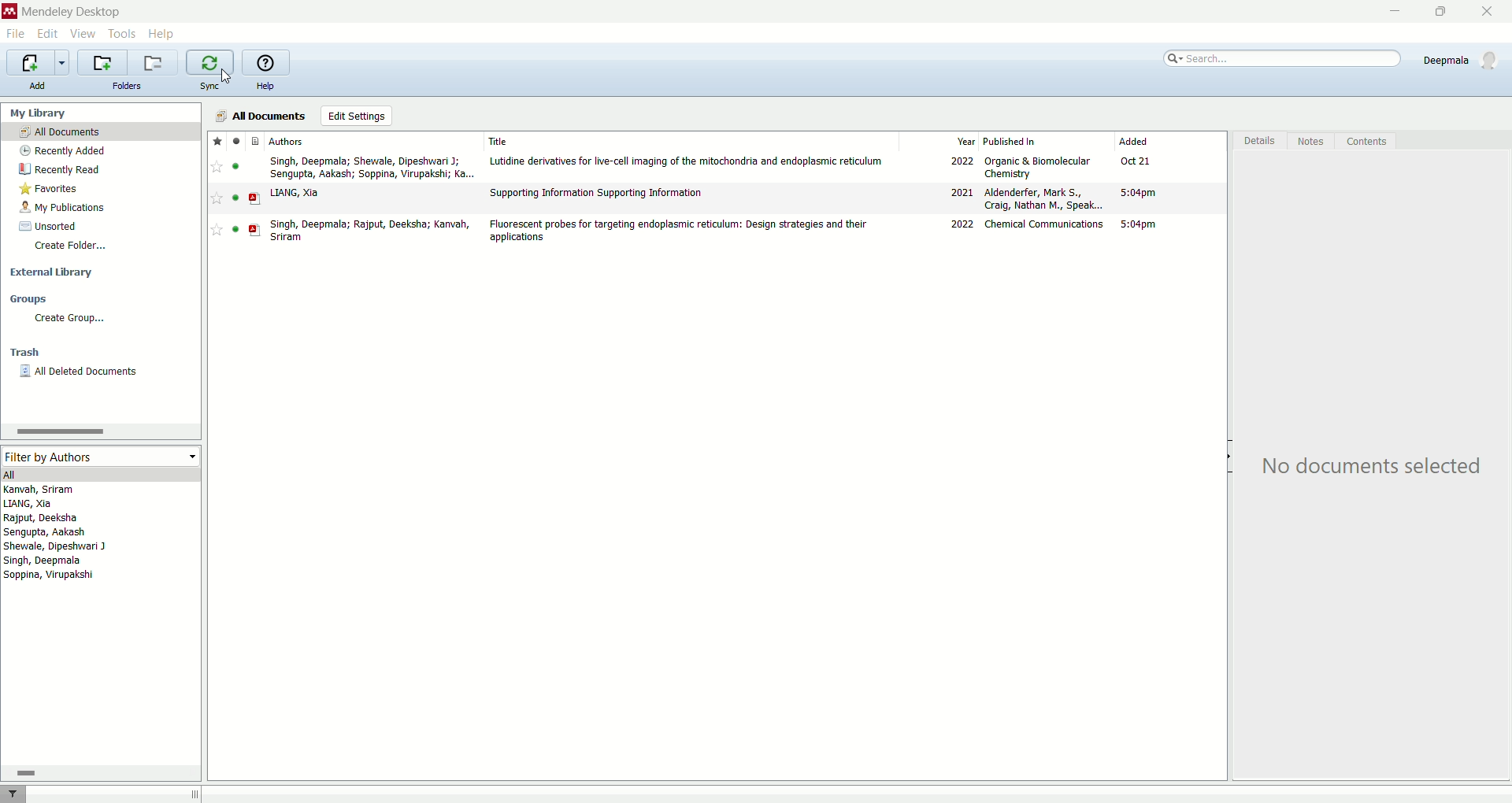 The width and height of the screenshot is (1512, 803). What do you see at coordinates (9, 11) in the screenshot?
I see `Mendeley logo` at bounding box center [9, 11].